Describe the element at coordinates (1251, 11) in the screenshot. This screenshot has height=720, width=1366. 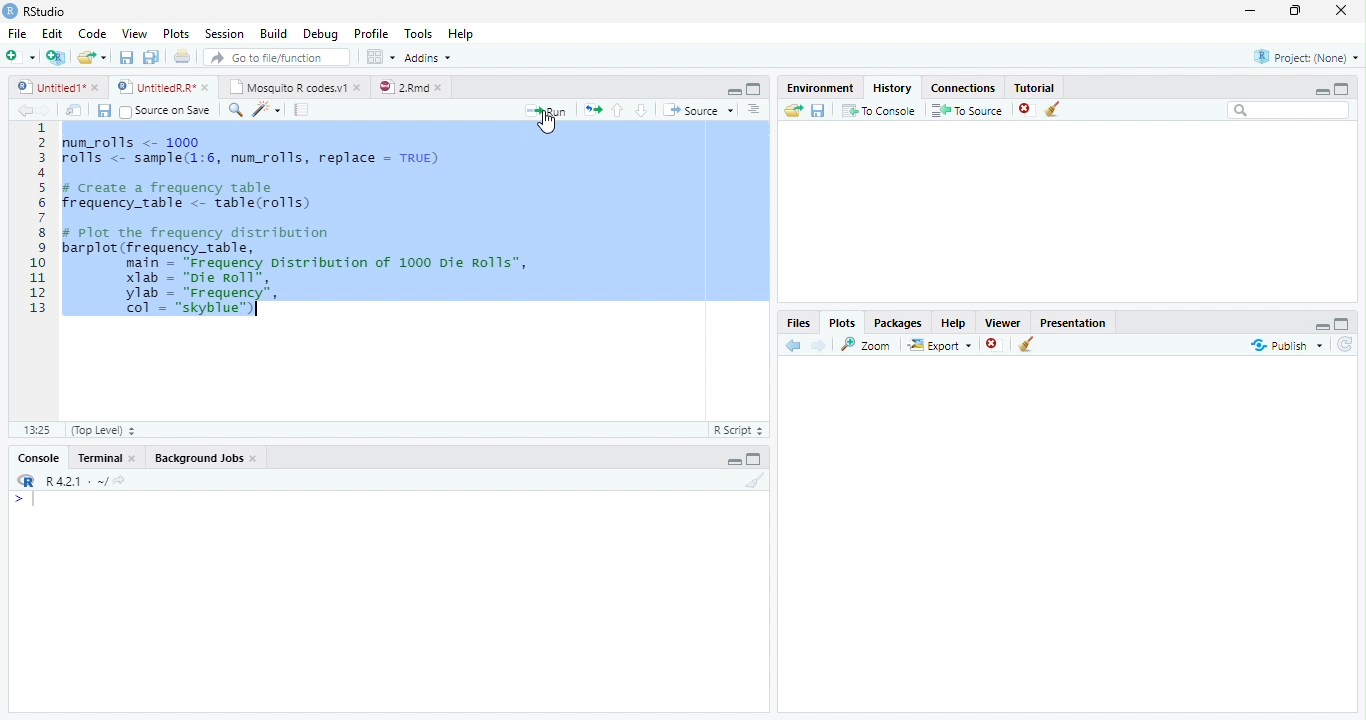
I see `Minimize` at that location.